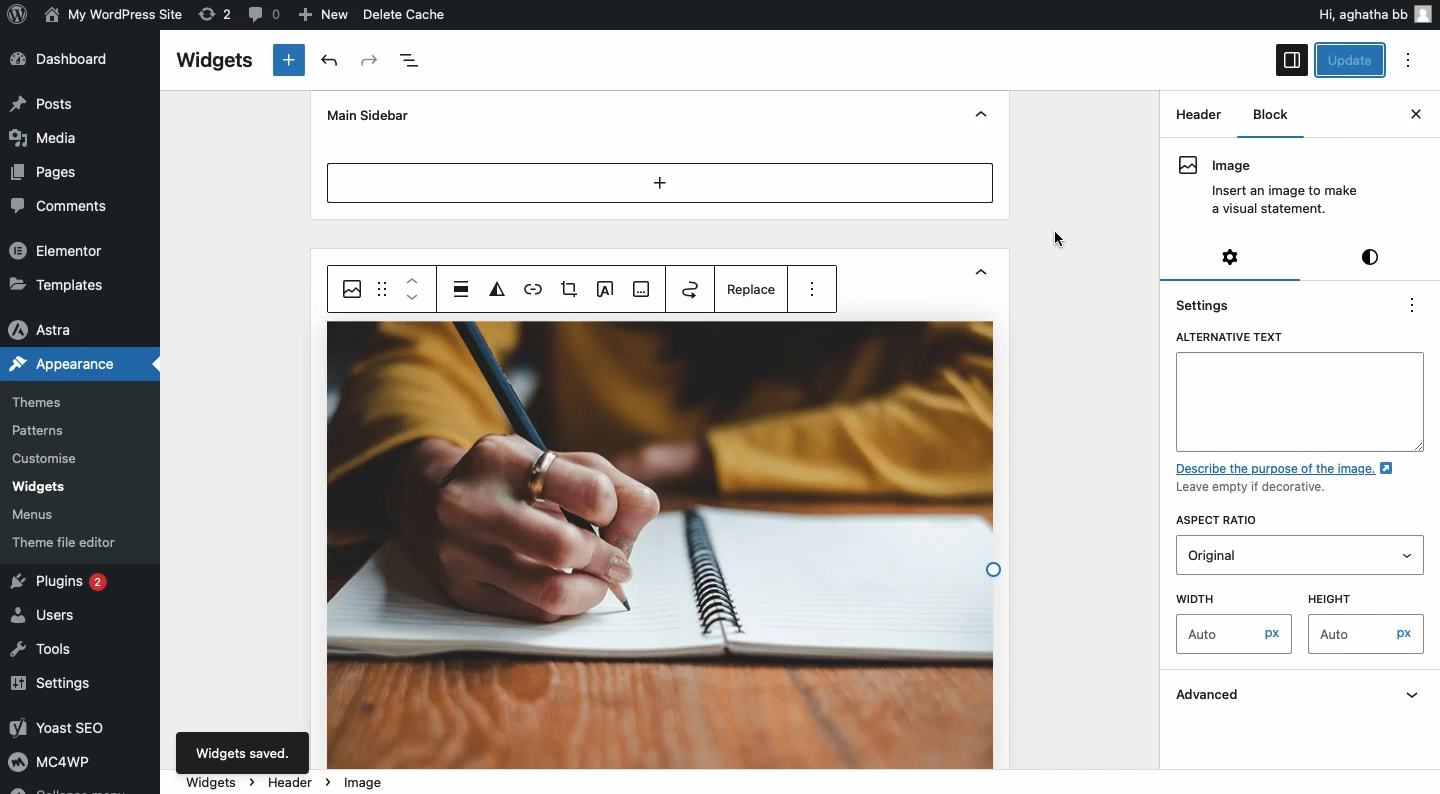 The width and height of the screenshot is (1440, 794). What do you see at coordinates (211, 780) in the screenshot?
I see `Widgets` at bounding box center [211, 780].